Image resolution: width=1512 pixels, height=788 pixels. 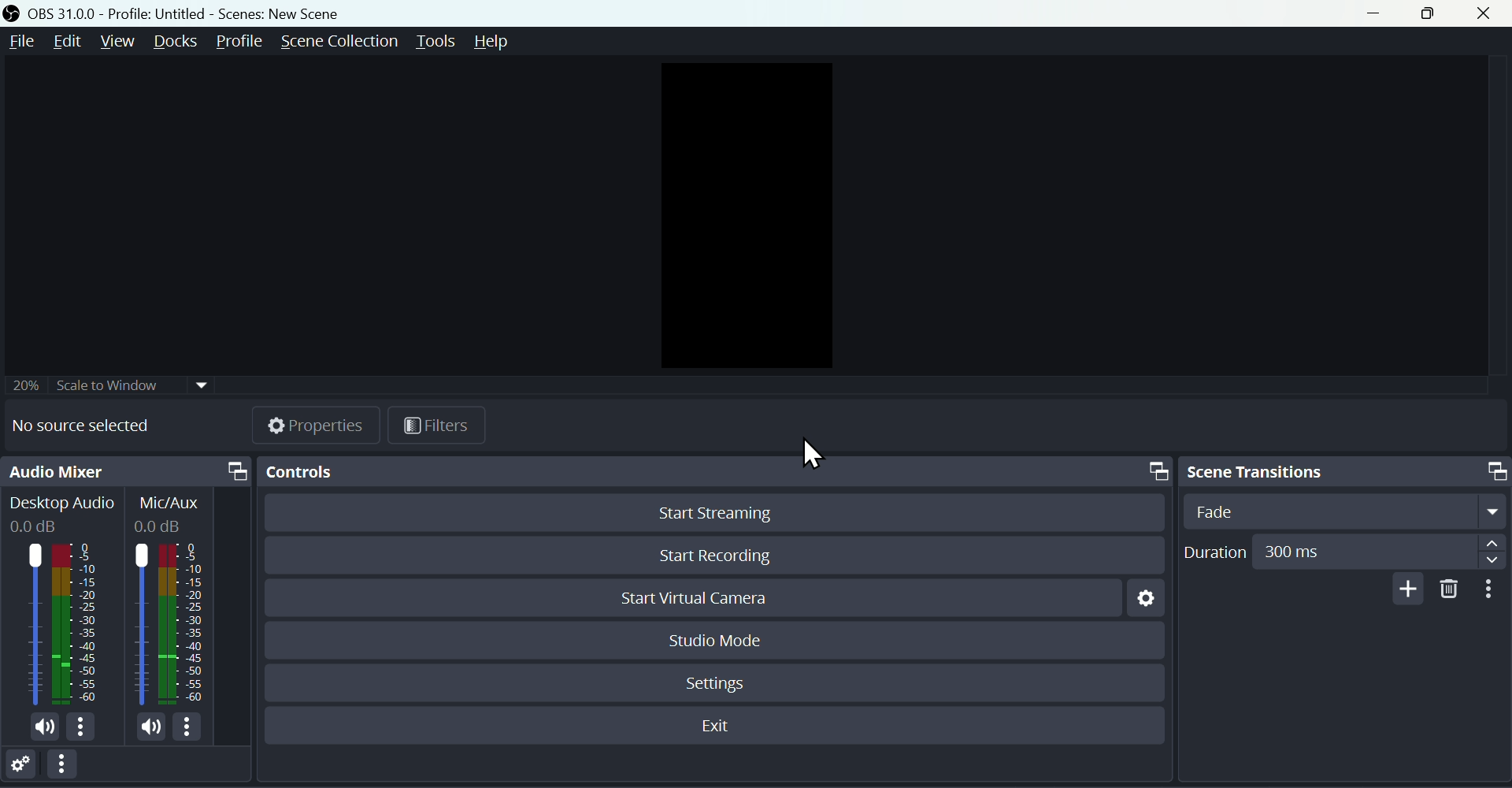 I want to click on Settings, so click(x=1141, y=603).